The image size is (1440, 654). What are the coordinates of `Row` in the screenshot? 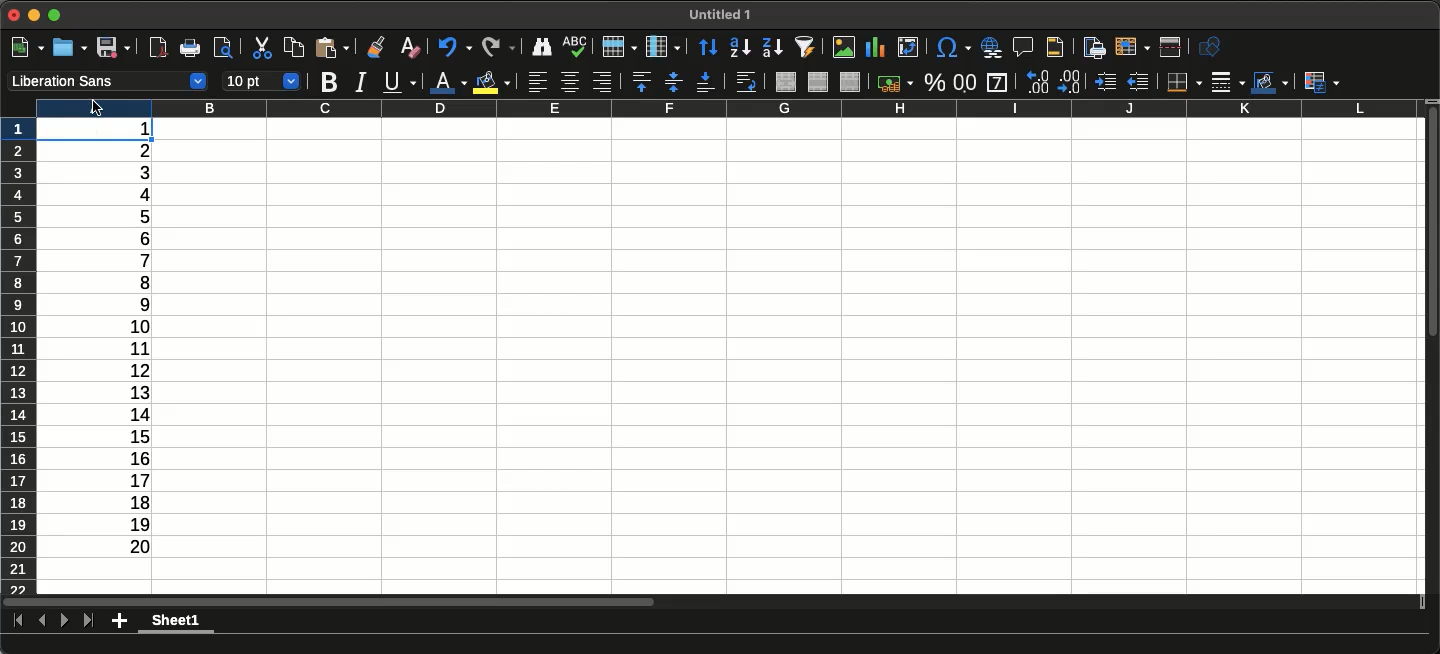 It's located at (20, 355).